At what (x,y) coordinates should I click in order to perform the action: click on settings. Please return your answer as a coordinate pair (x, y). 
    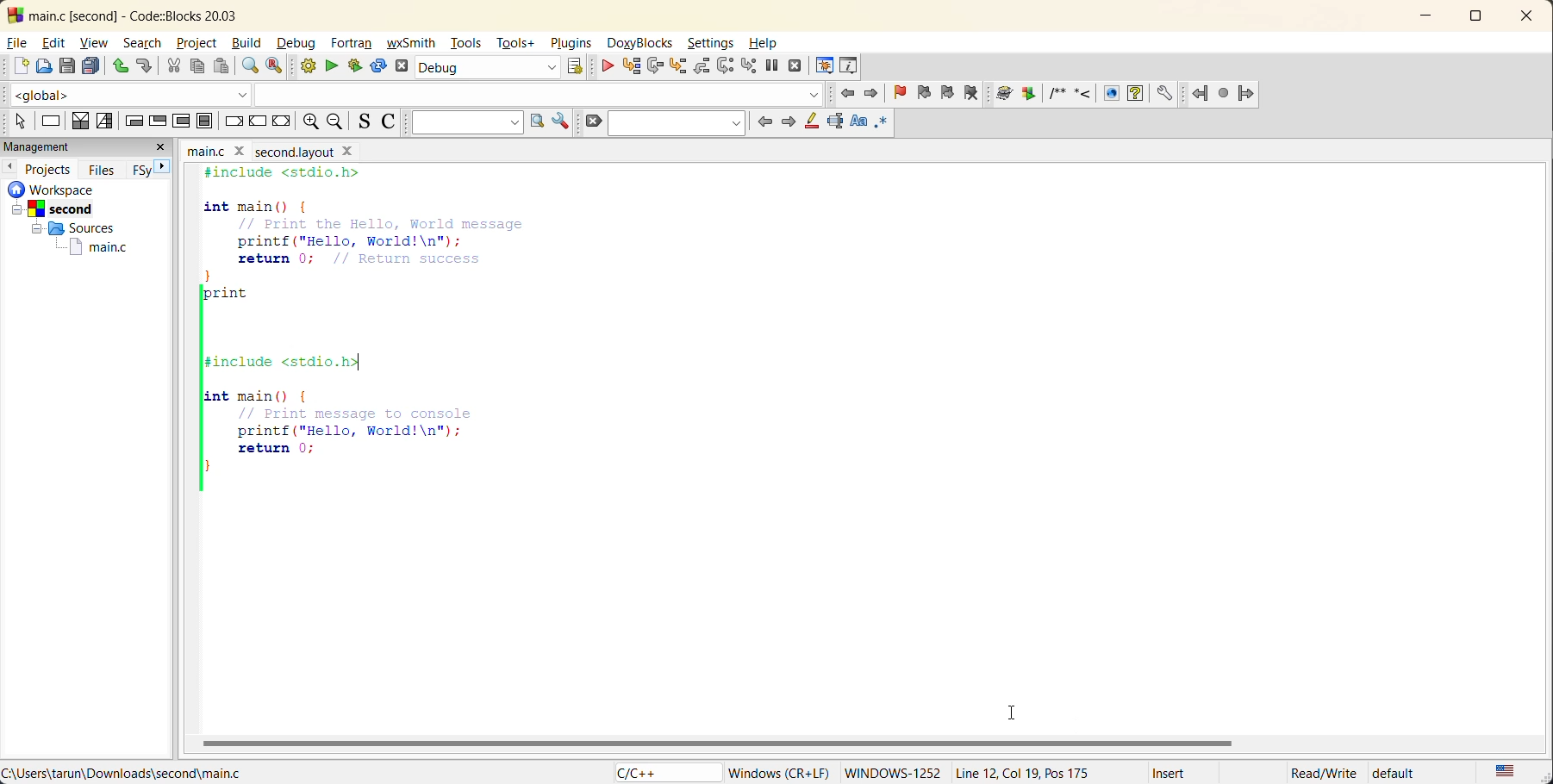
    Looking at the image, I should click on (711, 44).